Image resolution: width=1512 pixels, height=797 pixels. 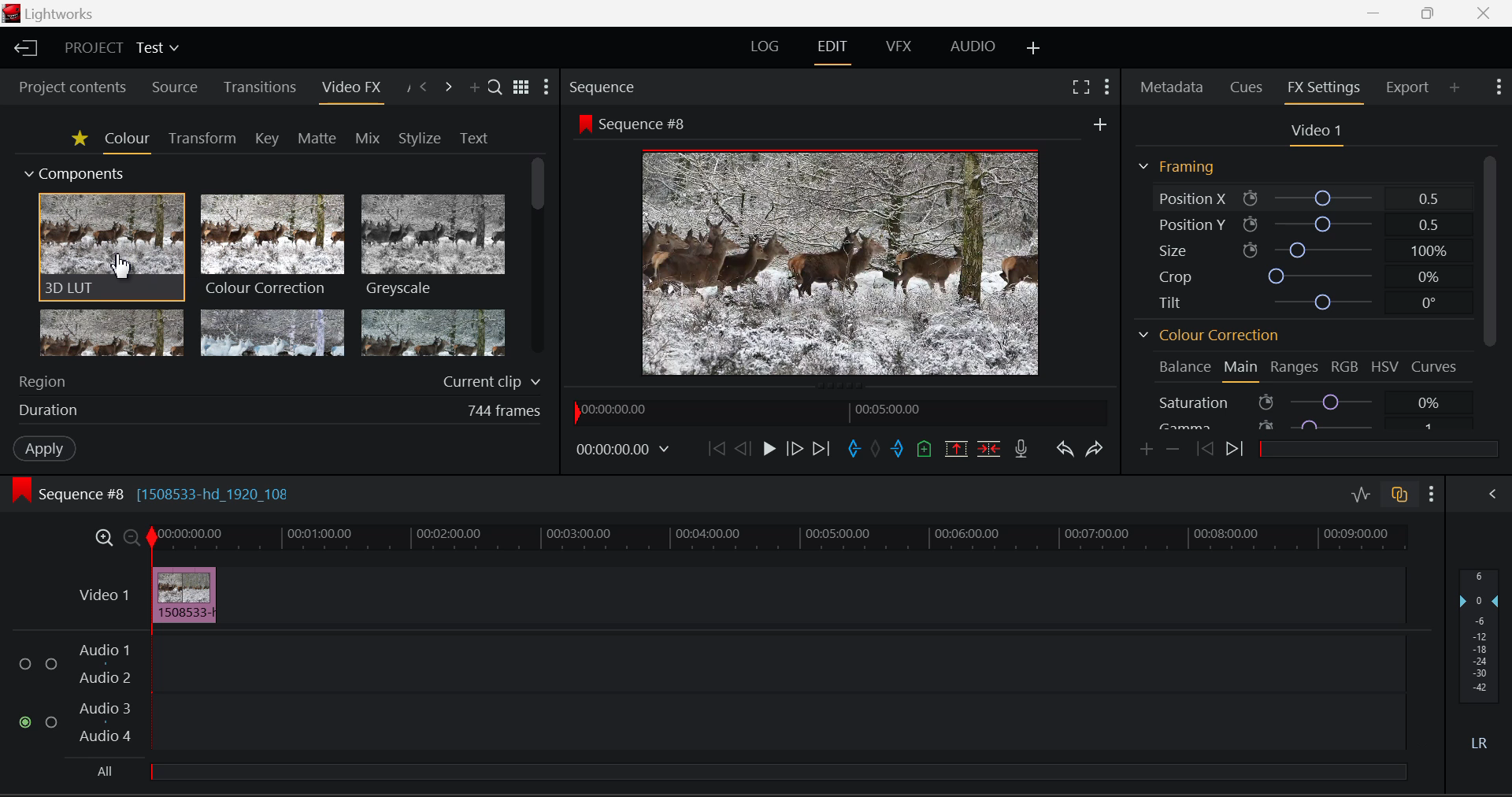 I want to click on Position X, so click(x=1309, y=198).